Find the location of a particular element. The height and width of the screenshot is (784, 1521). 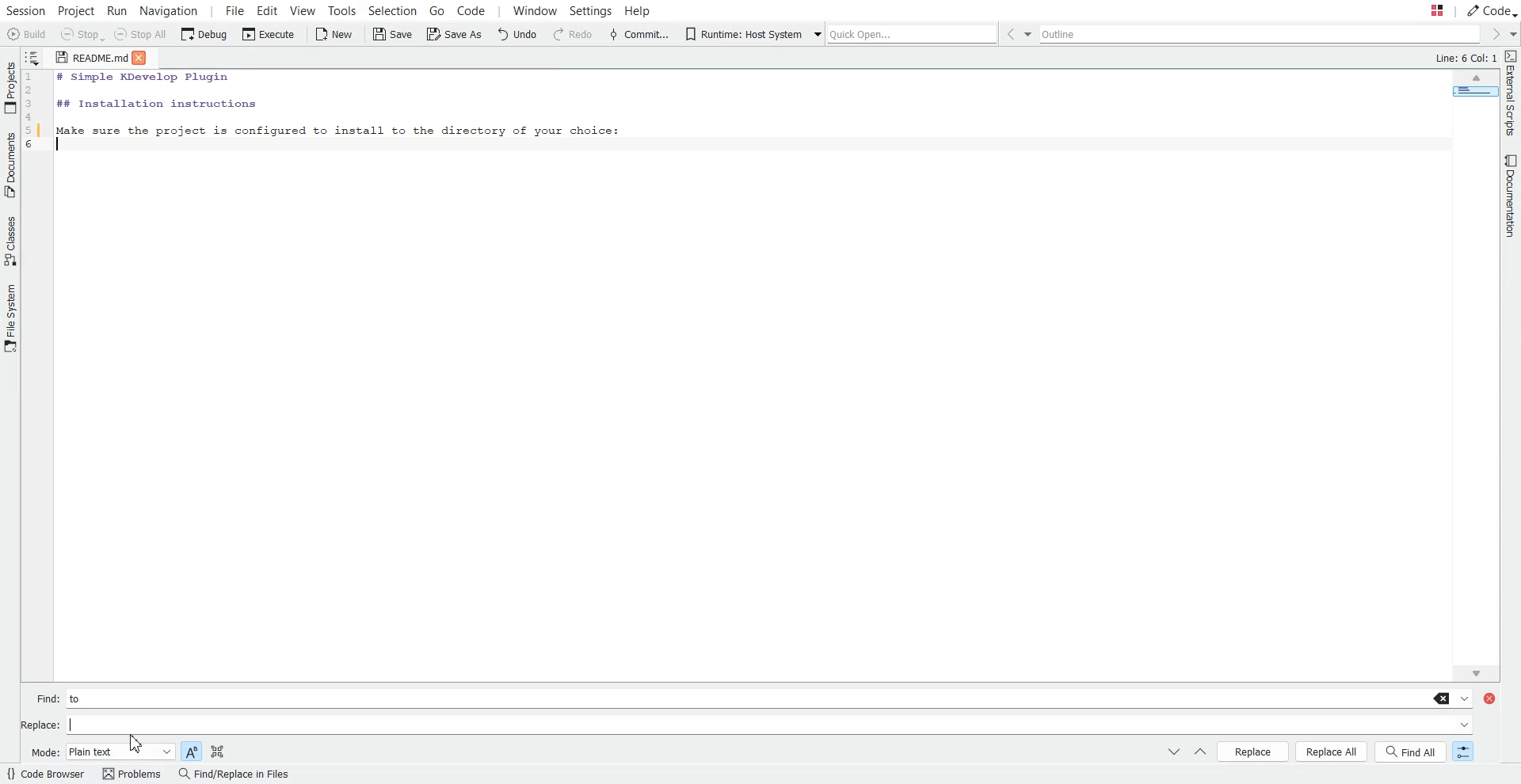

Commit is located at coordinates (639, 34).